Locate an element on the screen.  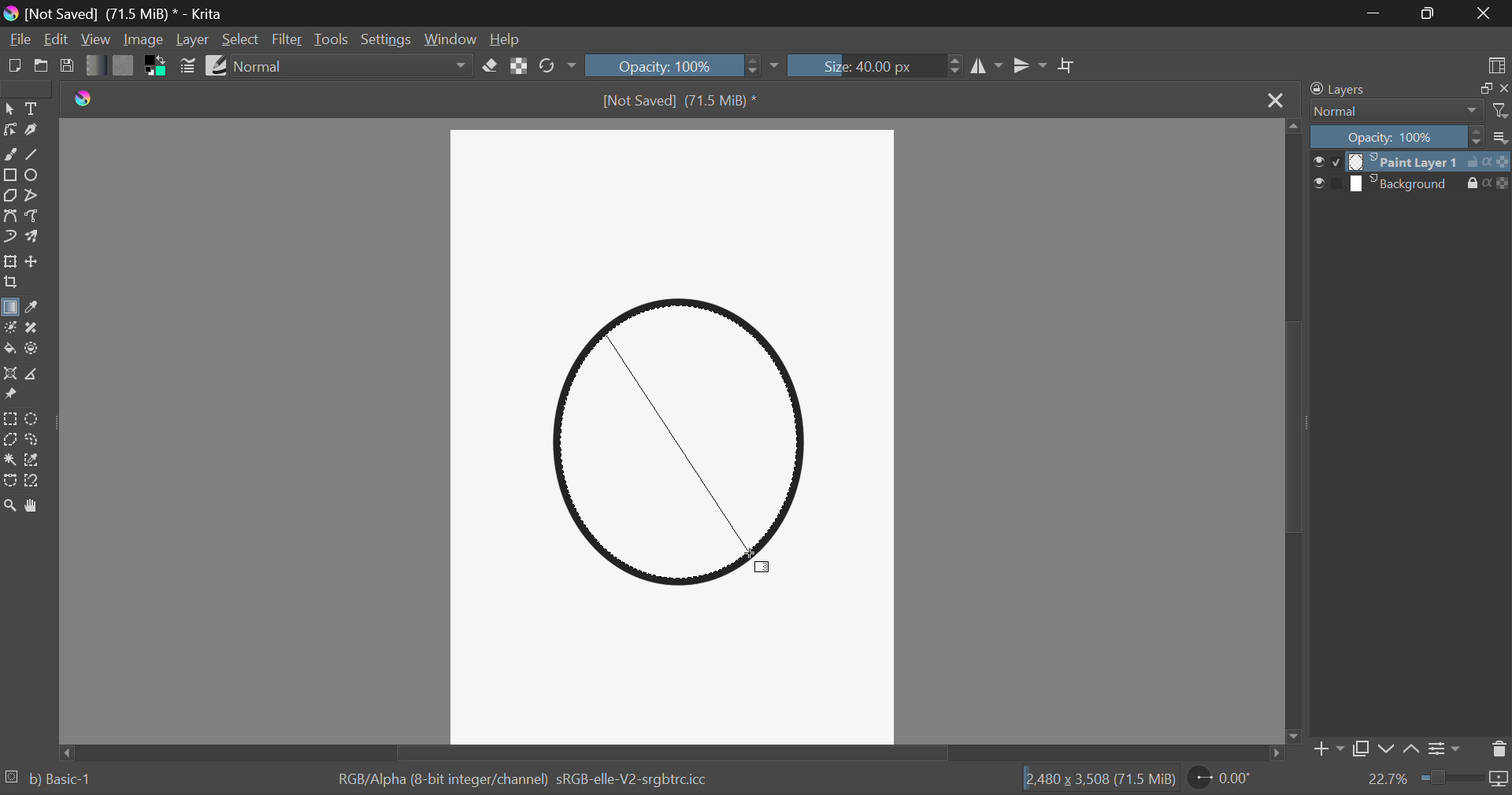
Choose Workspace is located at coordinates (1496, 65).